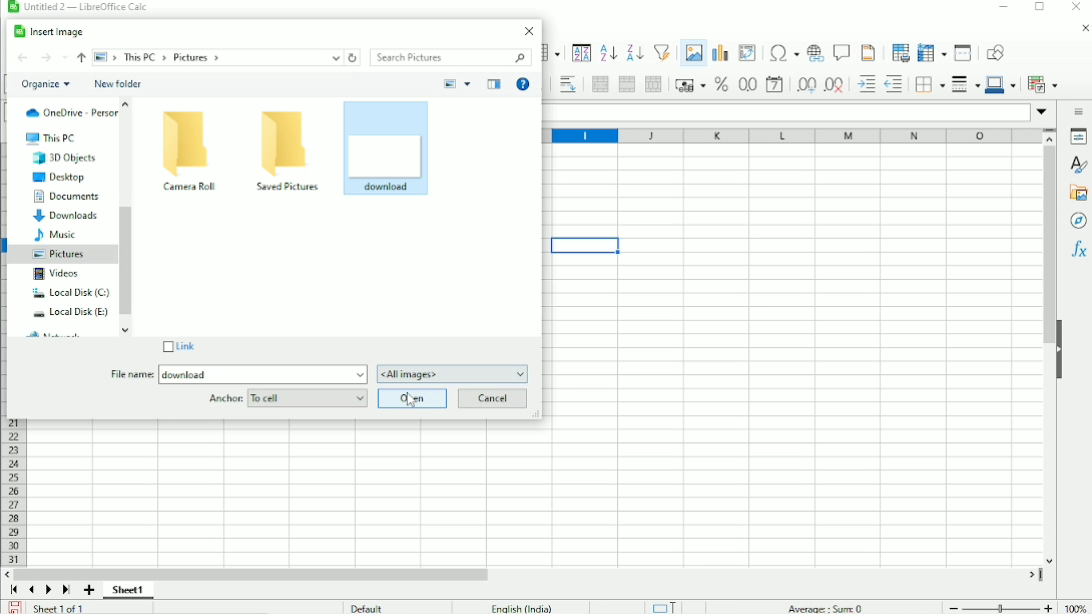 This screenshot has height=614, width=1092. What do you see at coordinates (774, 85) in the screenshot?
I see `Format as date` at bounding box center [774, 85].